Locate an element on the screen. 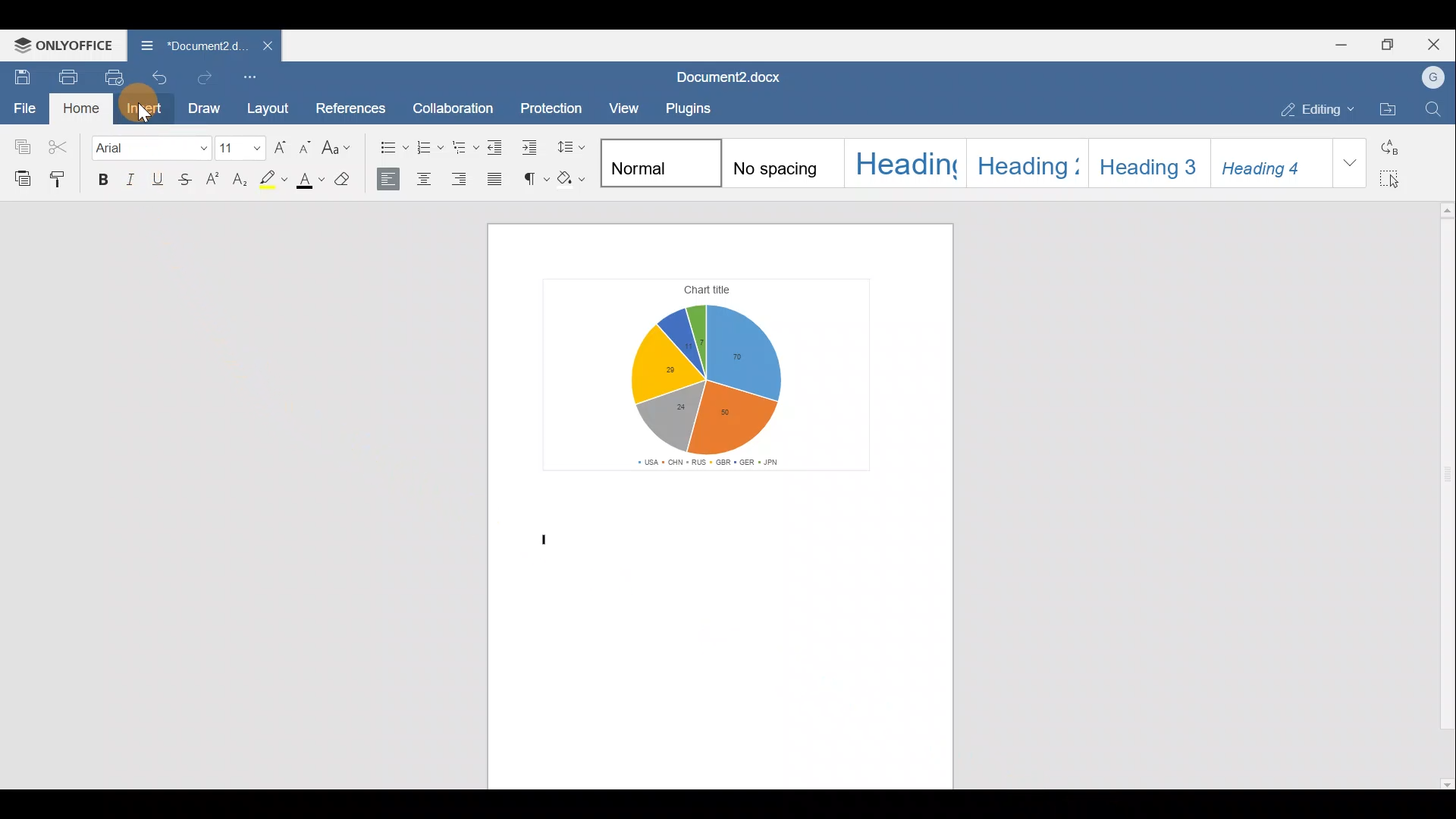 The image size is (1456, 819). Font color is located at coordinates (313, 179).